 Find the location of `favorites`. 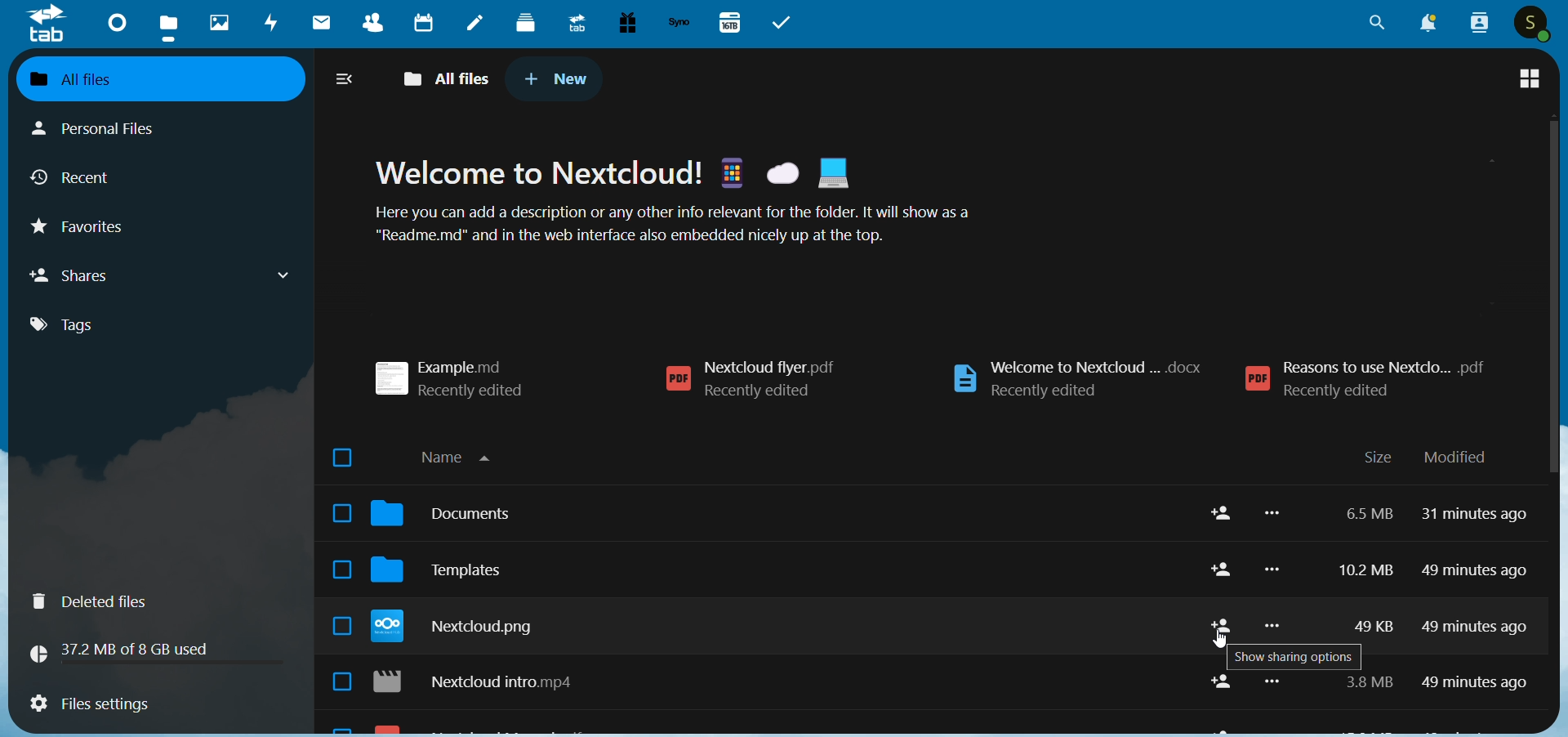

favorites is located at coordinates (92, 231).